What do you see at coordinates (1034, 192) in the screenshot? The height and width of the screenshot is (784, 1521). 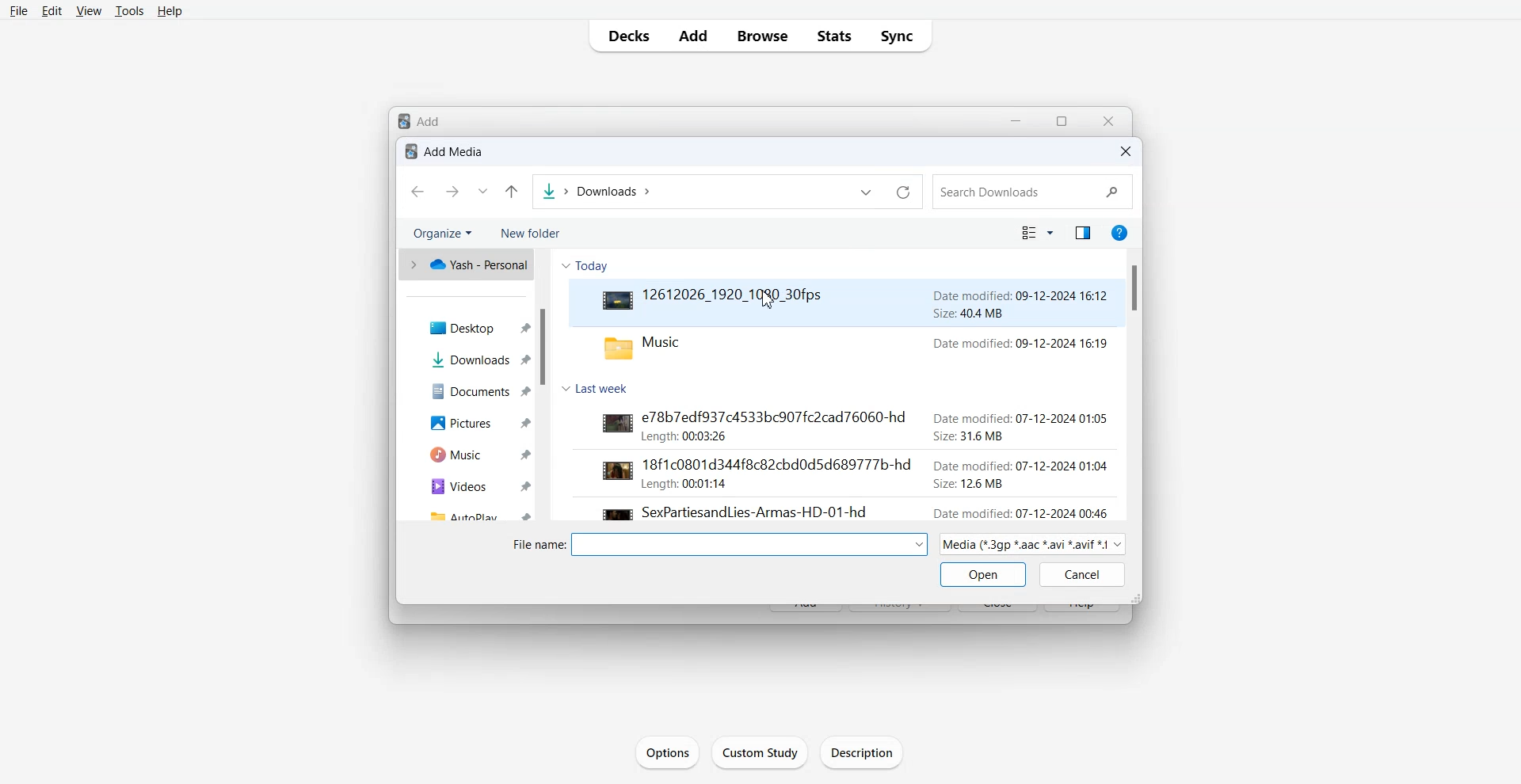 I see `Search Bar` at bounding box center [1034, 192].